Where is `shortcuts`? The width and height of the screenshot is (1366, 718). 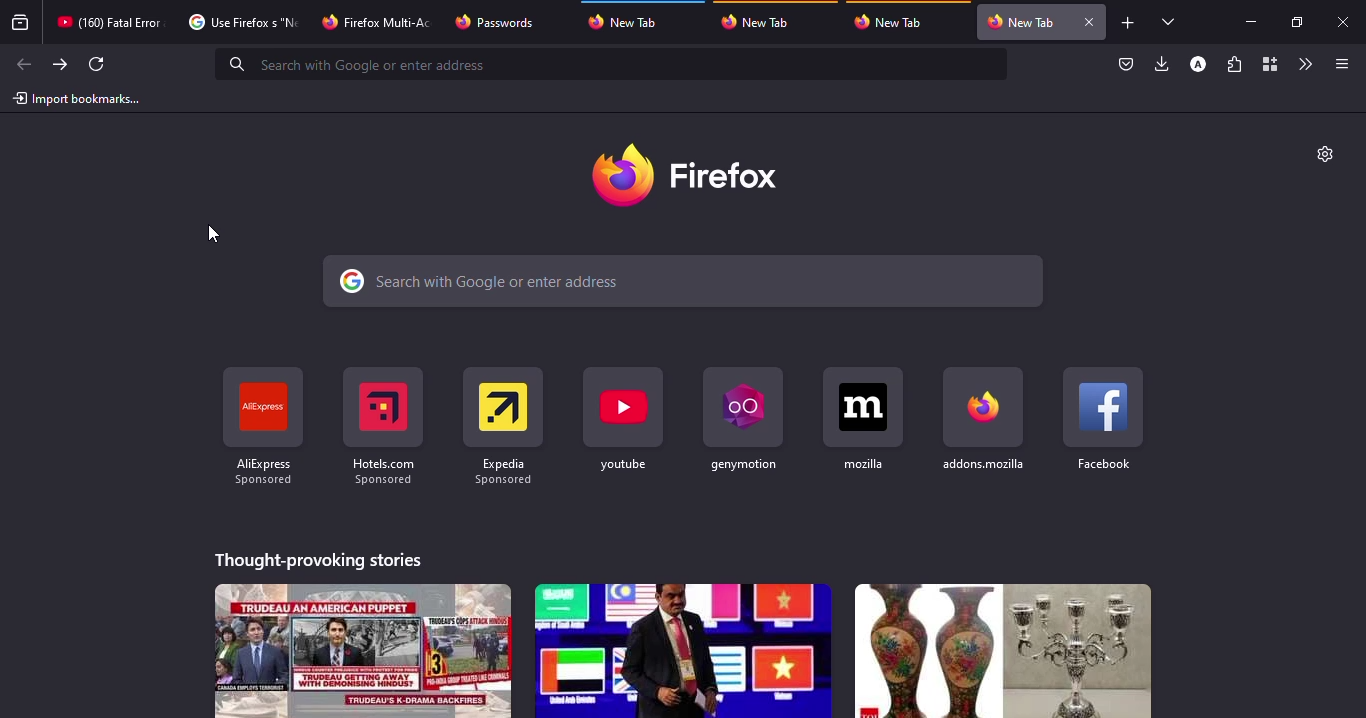 shortcuts is located at coordinates (1104, 418).